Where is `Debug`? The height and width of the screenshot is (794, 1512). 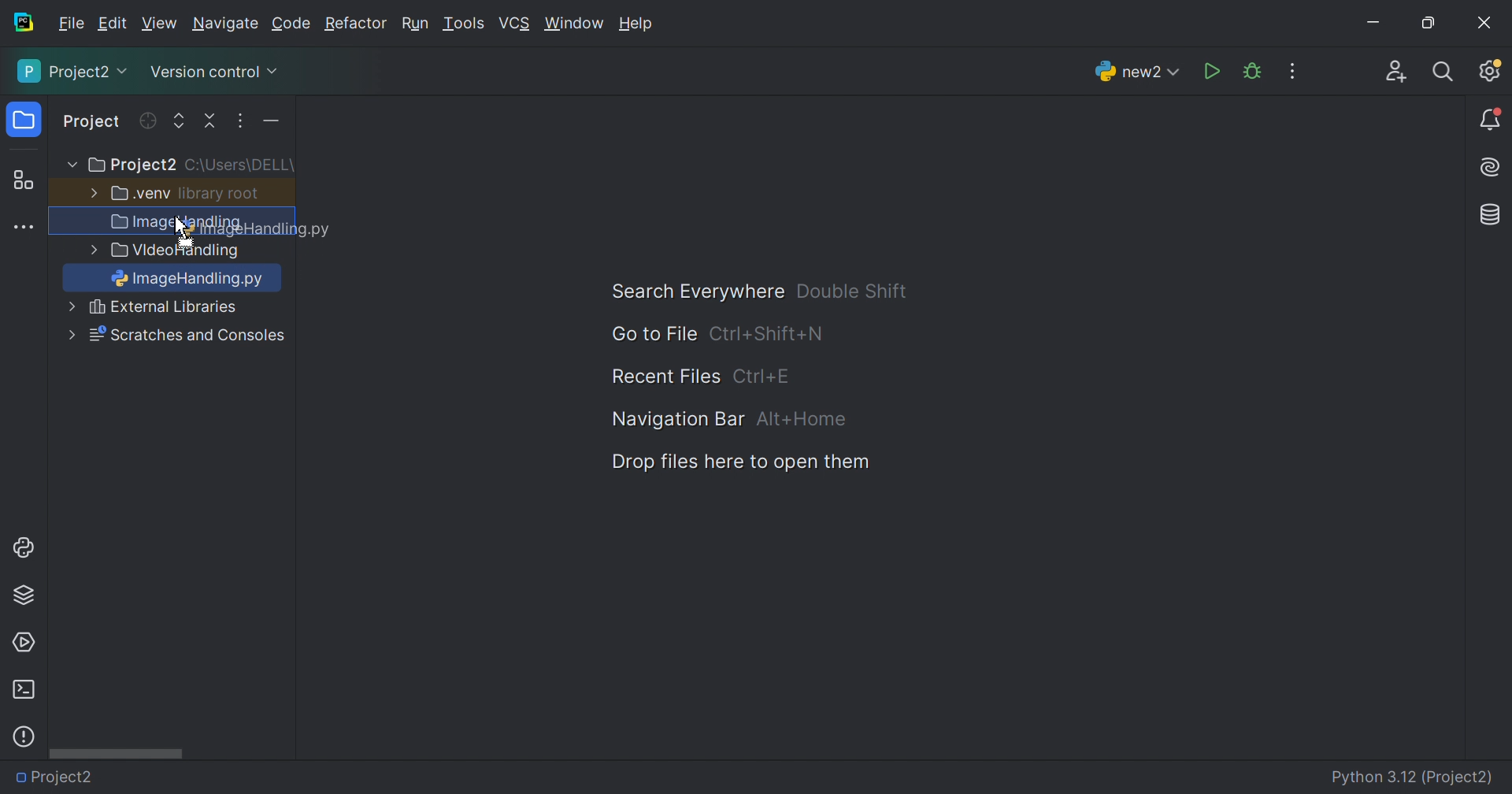 Debug is located at coordinates (1252, 72).